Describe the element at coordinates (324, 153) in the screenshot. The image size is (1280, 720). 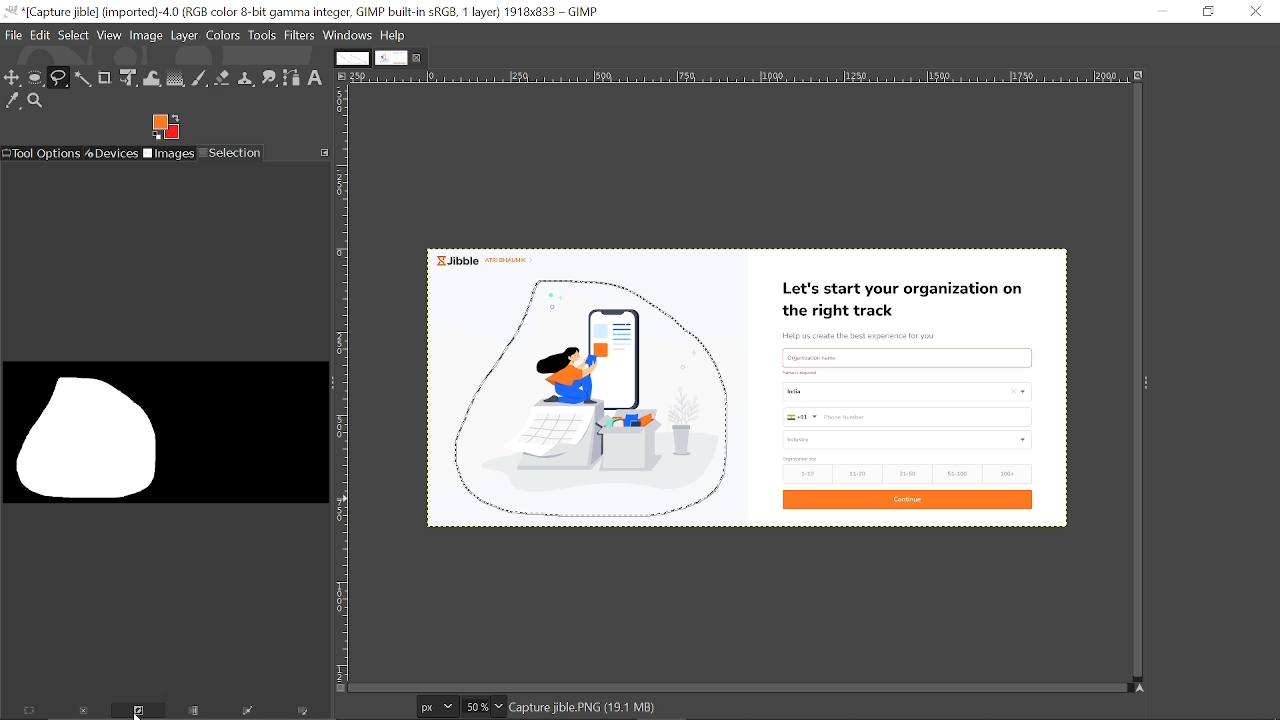
I see `Configure this tab` at that location.